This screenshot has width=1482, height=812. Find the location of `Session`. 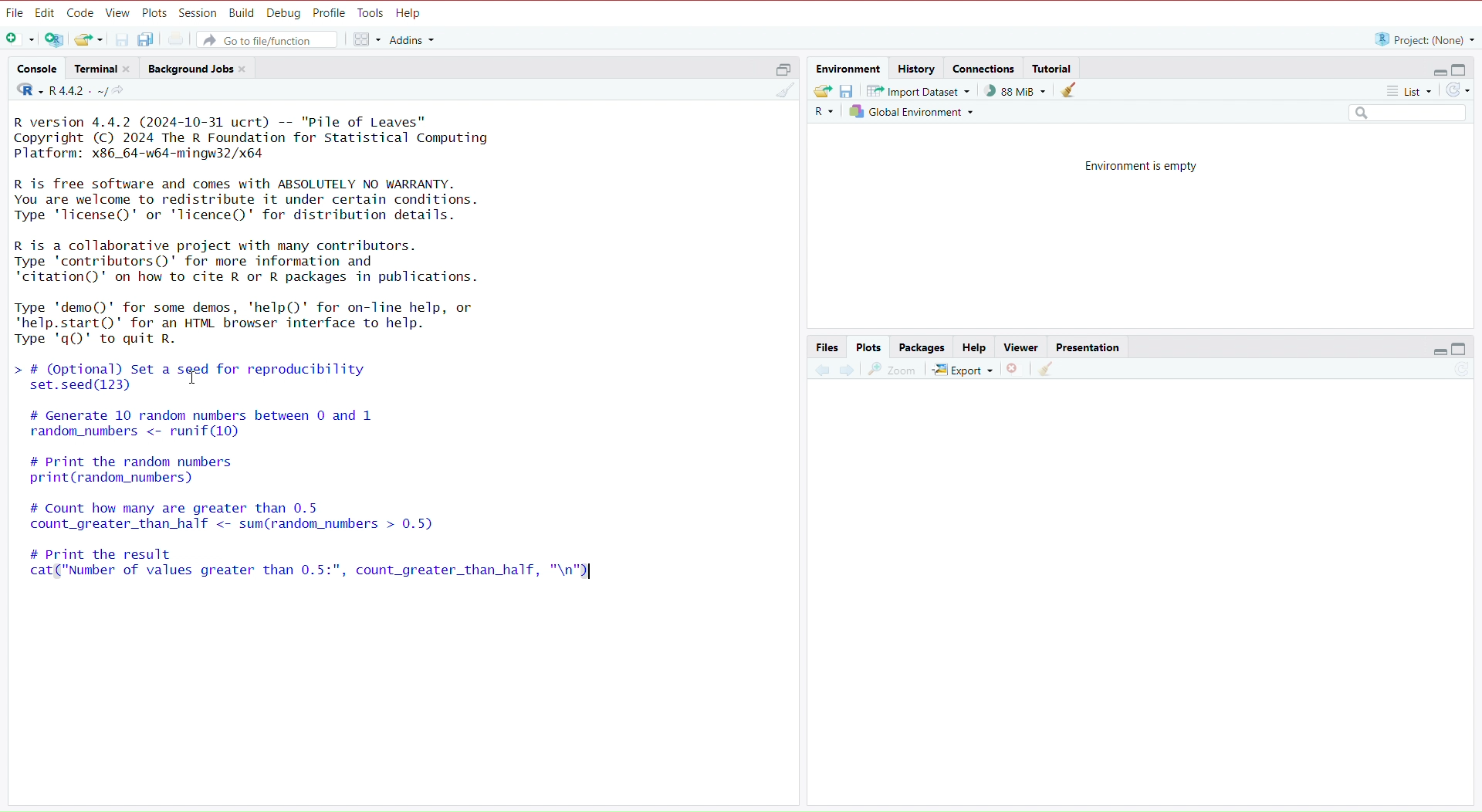

Session is located at coordinates (198, 13).